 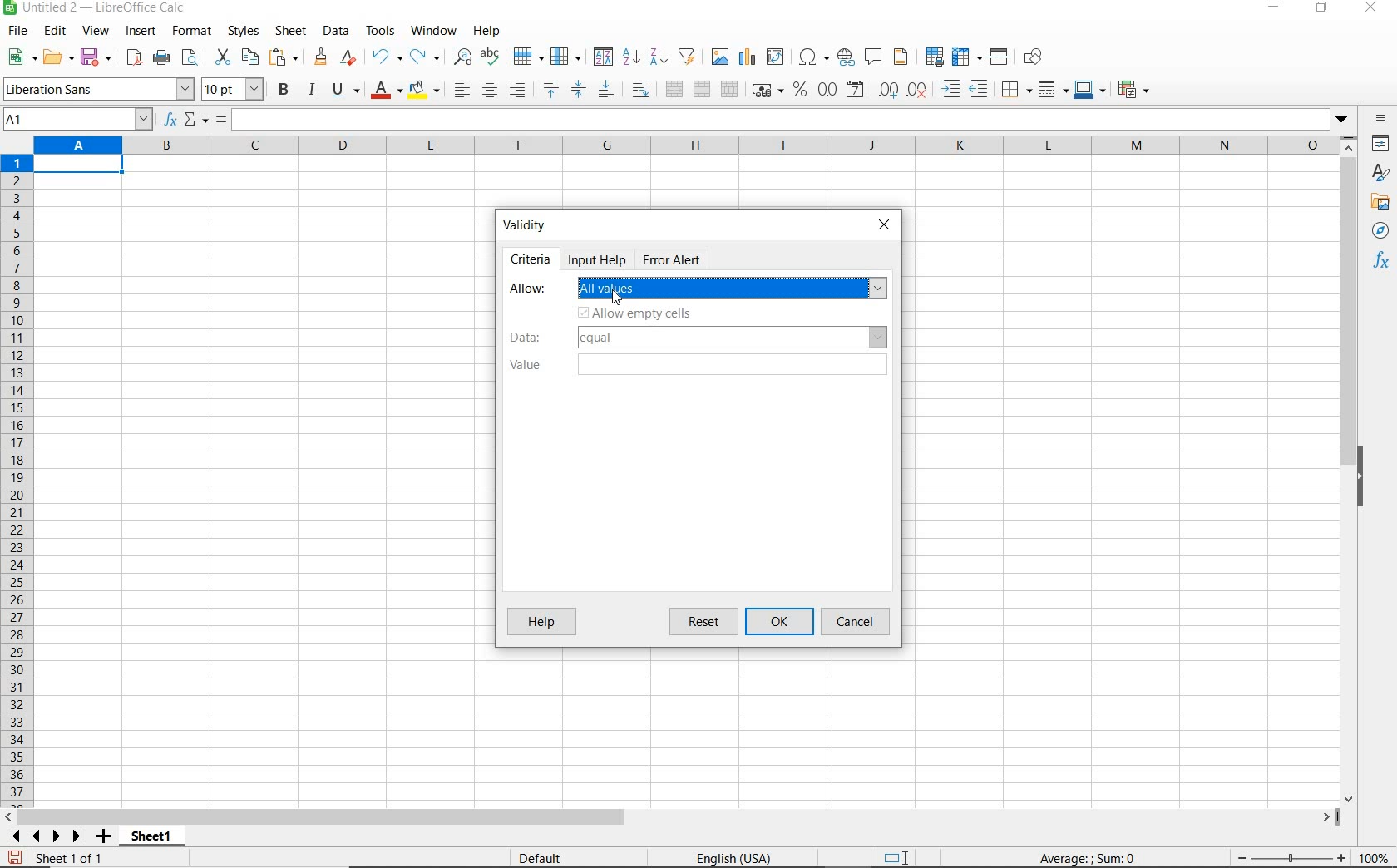 What do you see at coordinates (1362, 479) in the screenshot?
I see `hide` at bounding box center [1362, 479].